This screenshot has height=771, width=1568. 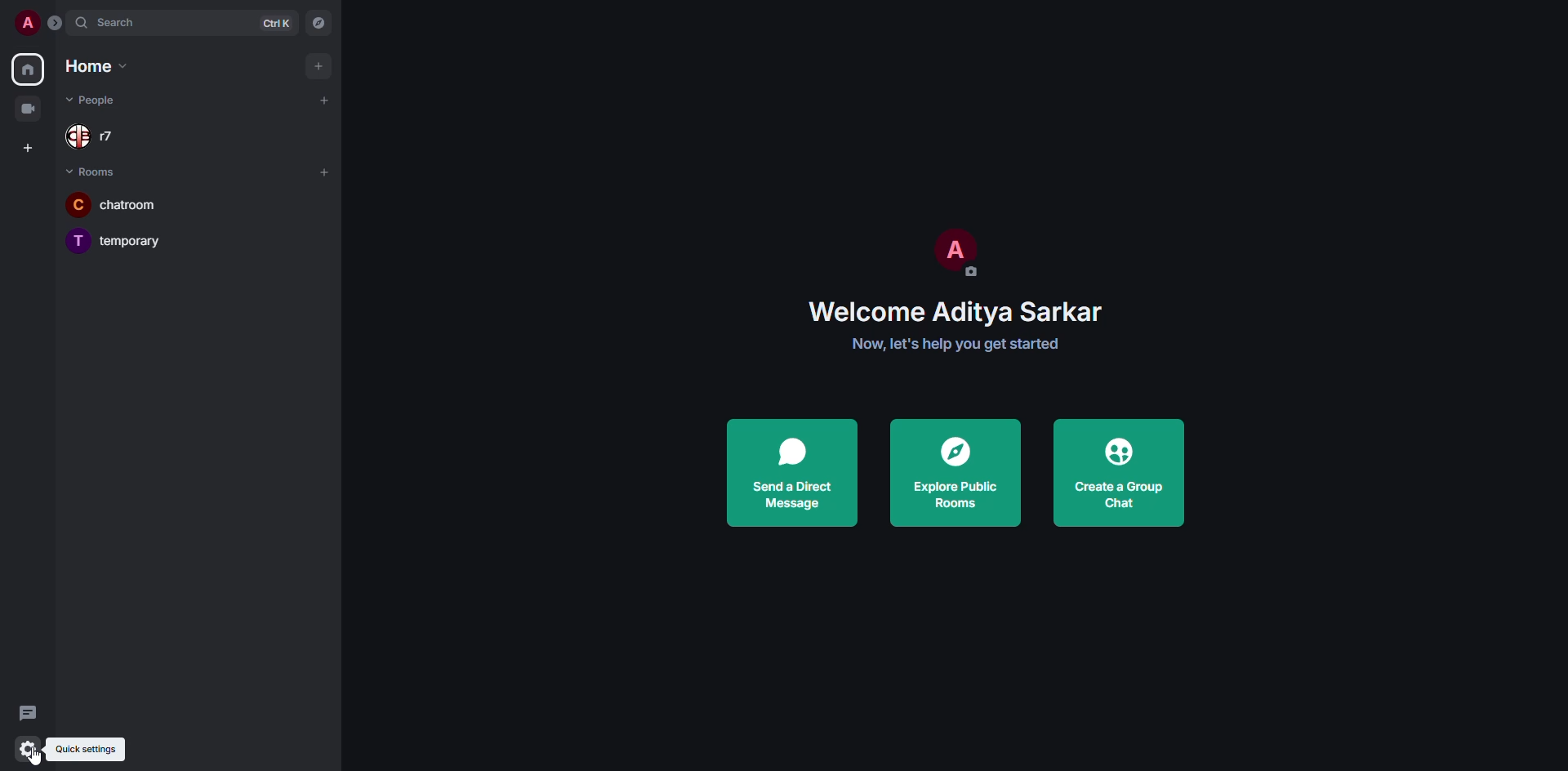 What do you see at coordinates (324, 172) in the screenshot?
I see `add` at bounding box center [324, 172].